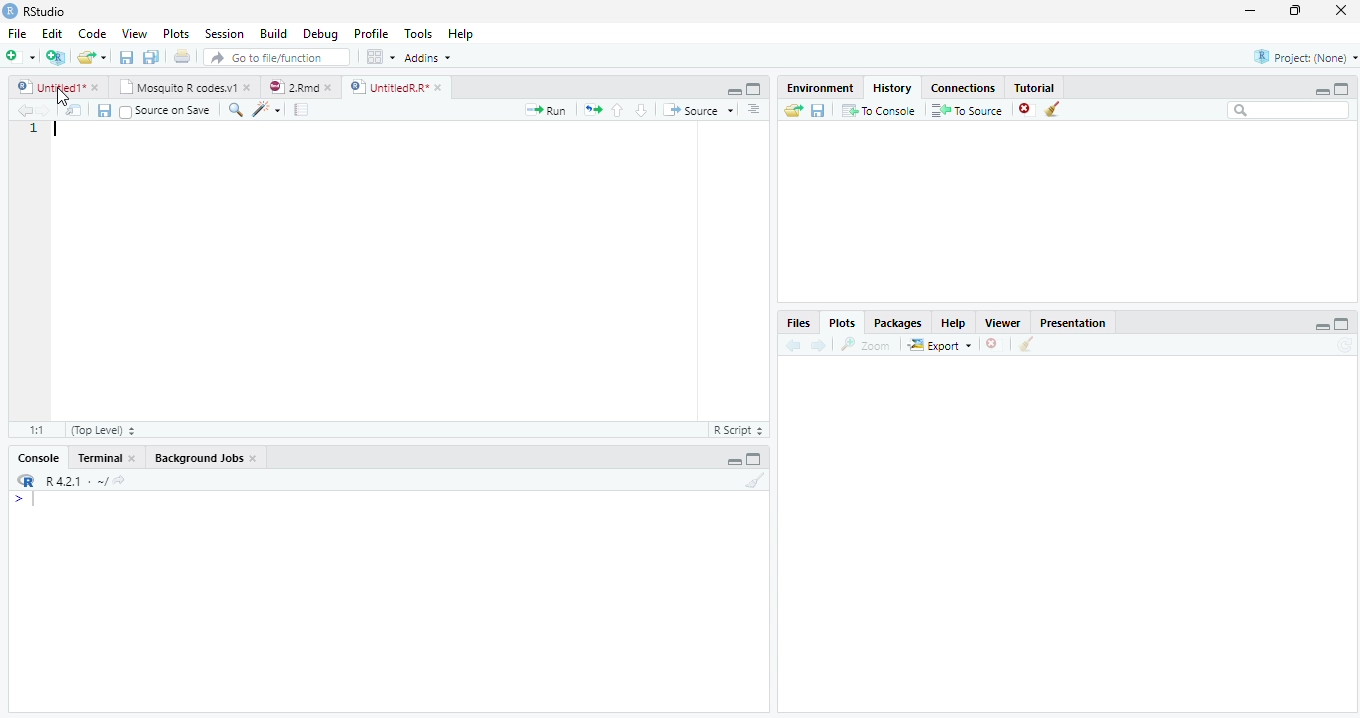 The image size is (1360, 718). I want to click on Run, so click(552, 113).